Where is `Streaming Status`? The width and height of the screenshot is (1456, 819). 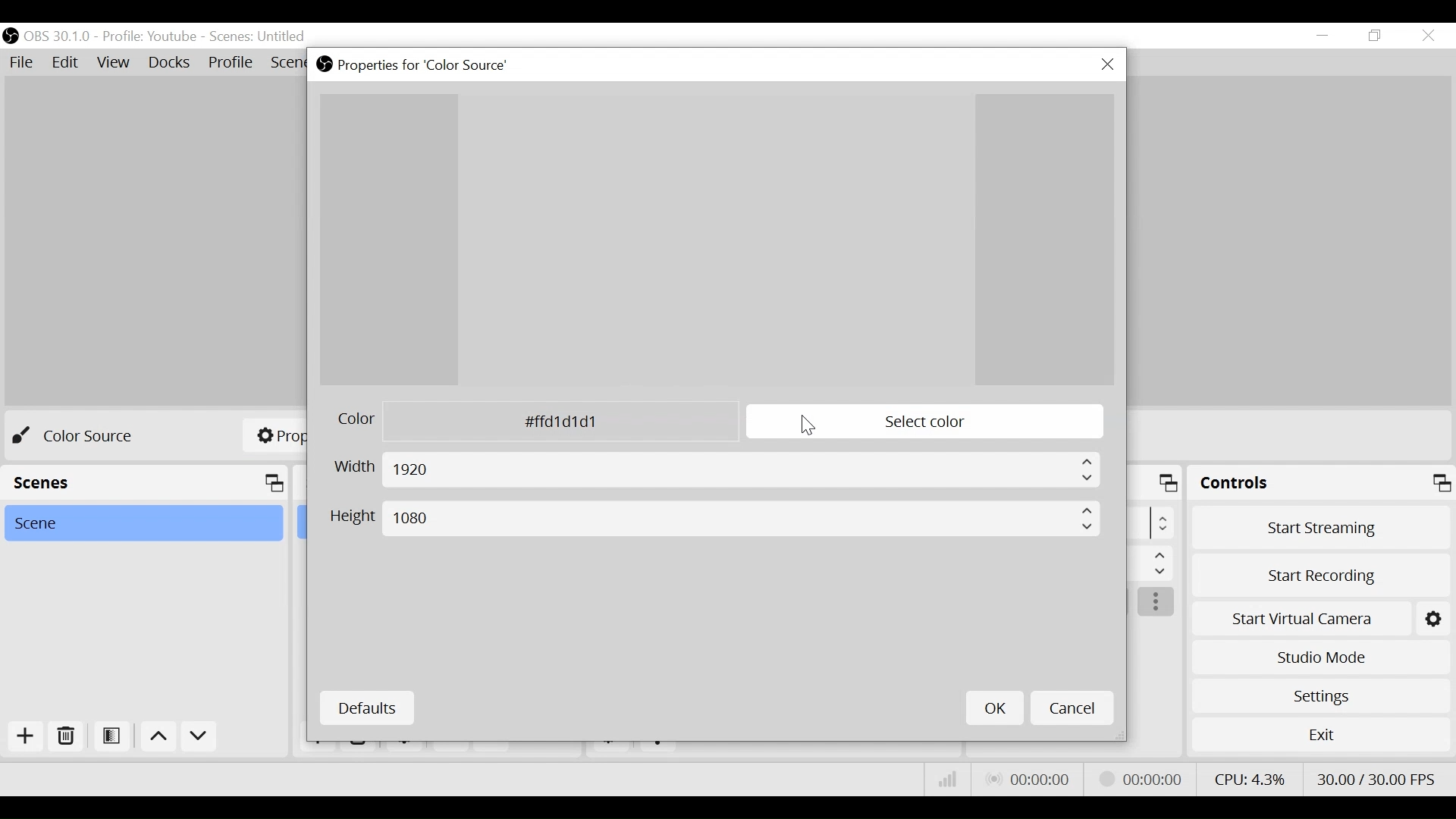 Streaming Status is located at coordinates (1141, 779).